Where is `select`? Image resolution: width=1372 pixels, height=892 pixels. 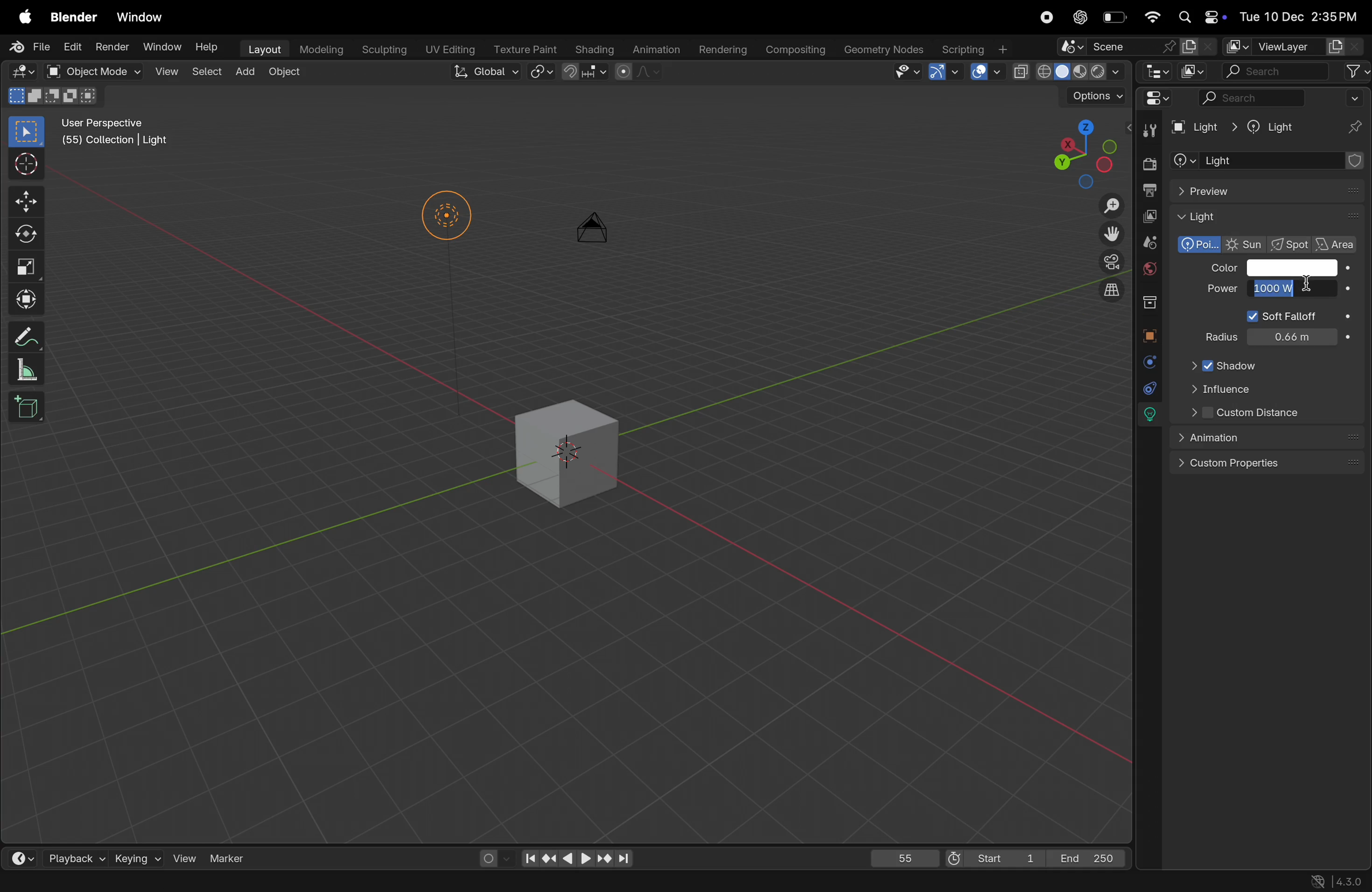
select is located at coordinates (27, 133).